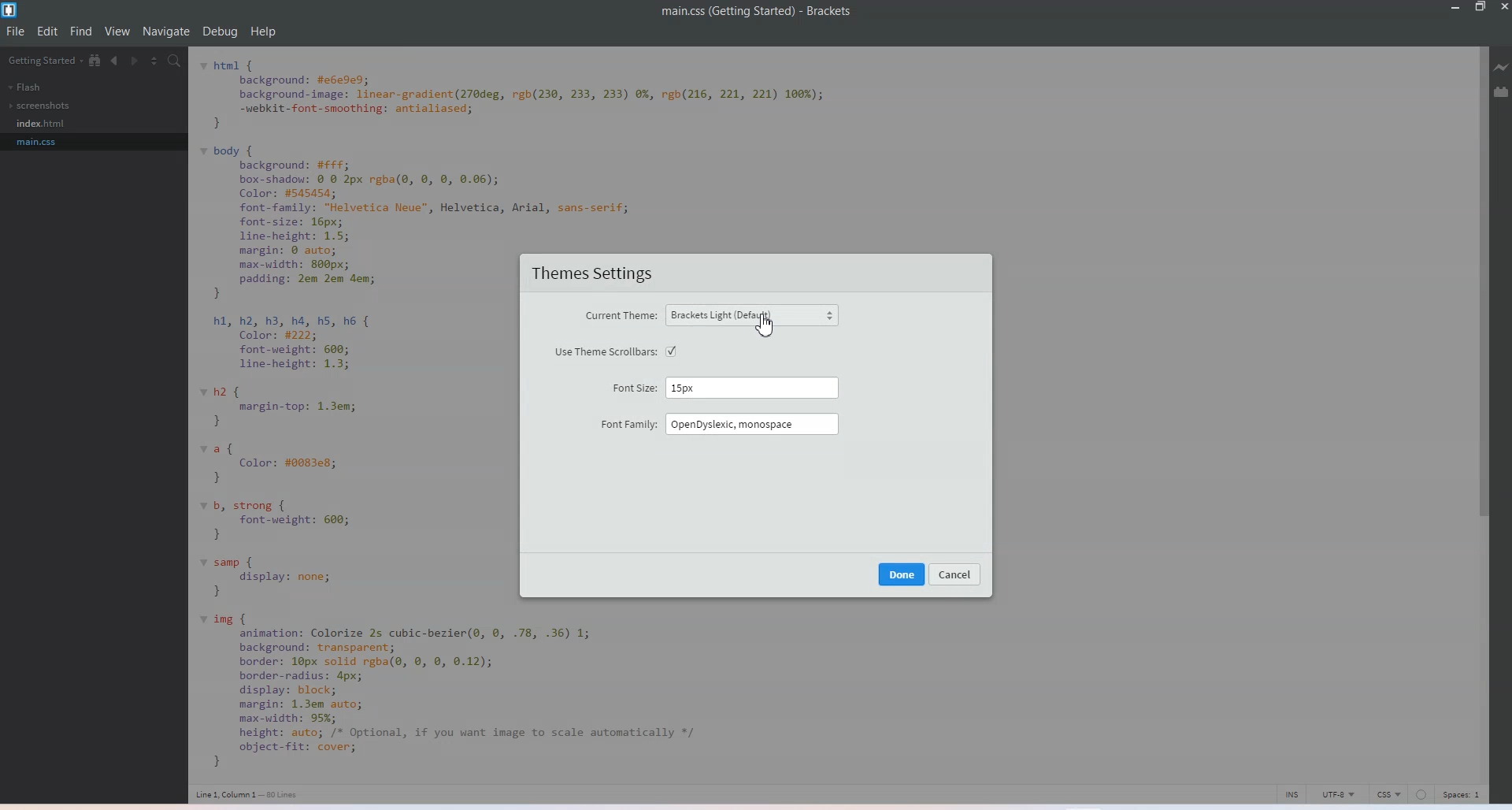  What do you see at coordinates (1502, 66) in the screenshot?
I see `Live Preview` at bounding box center [1502, 66].